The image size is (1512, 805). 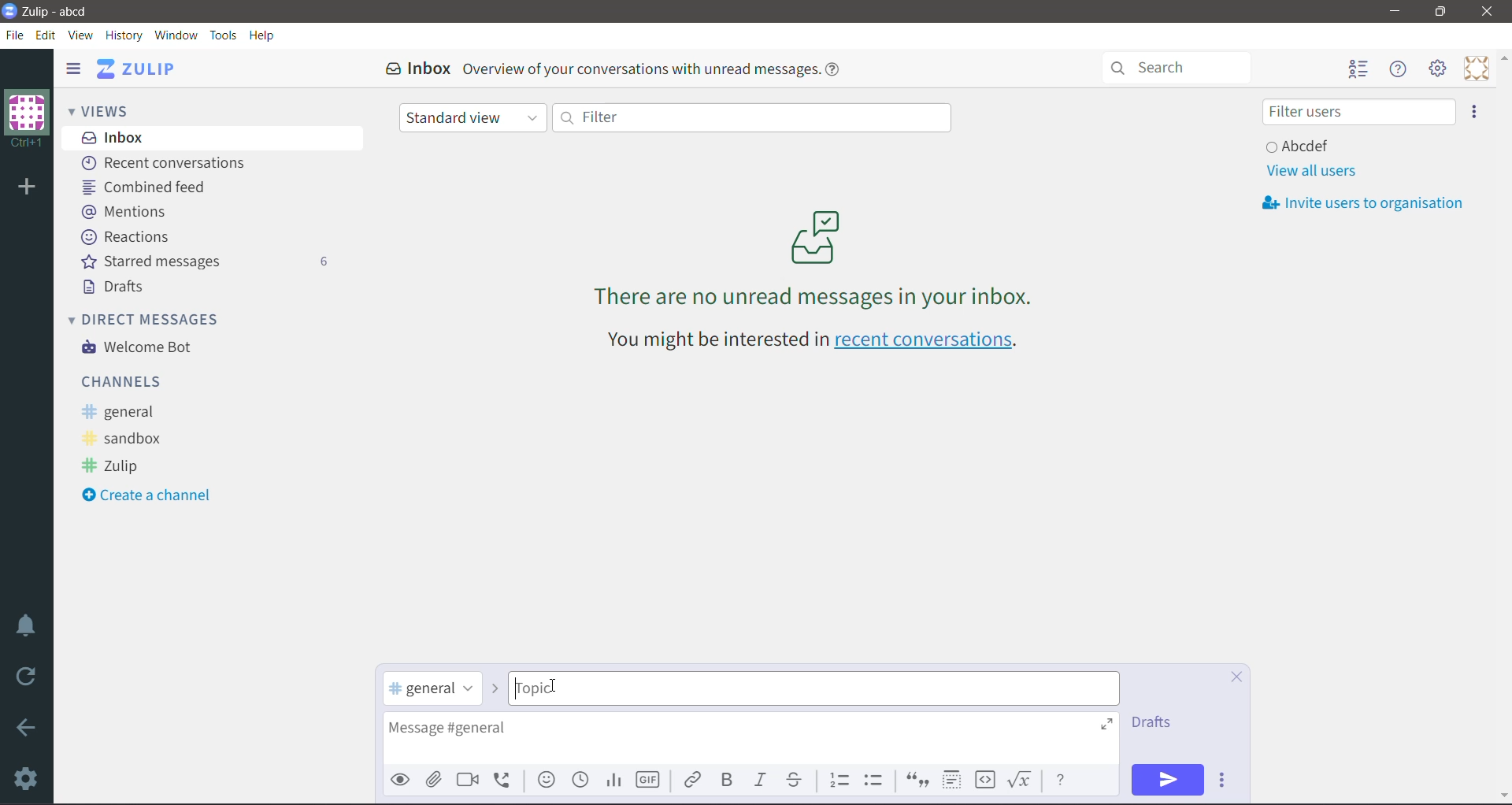 I want to click on User and Status, so click(x=1301, y=145).